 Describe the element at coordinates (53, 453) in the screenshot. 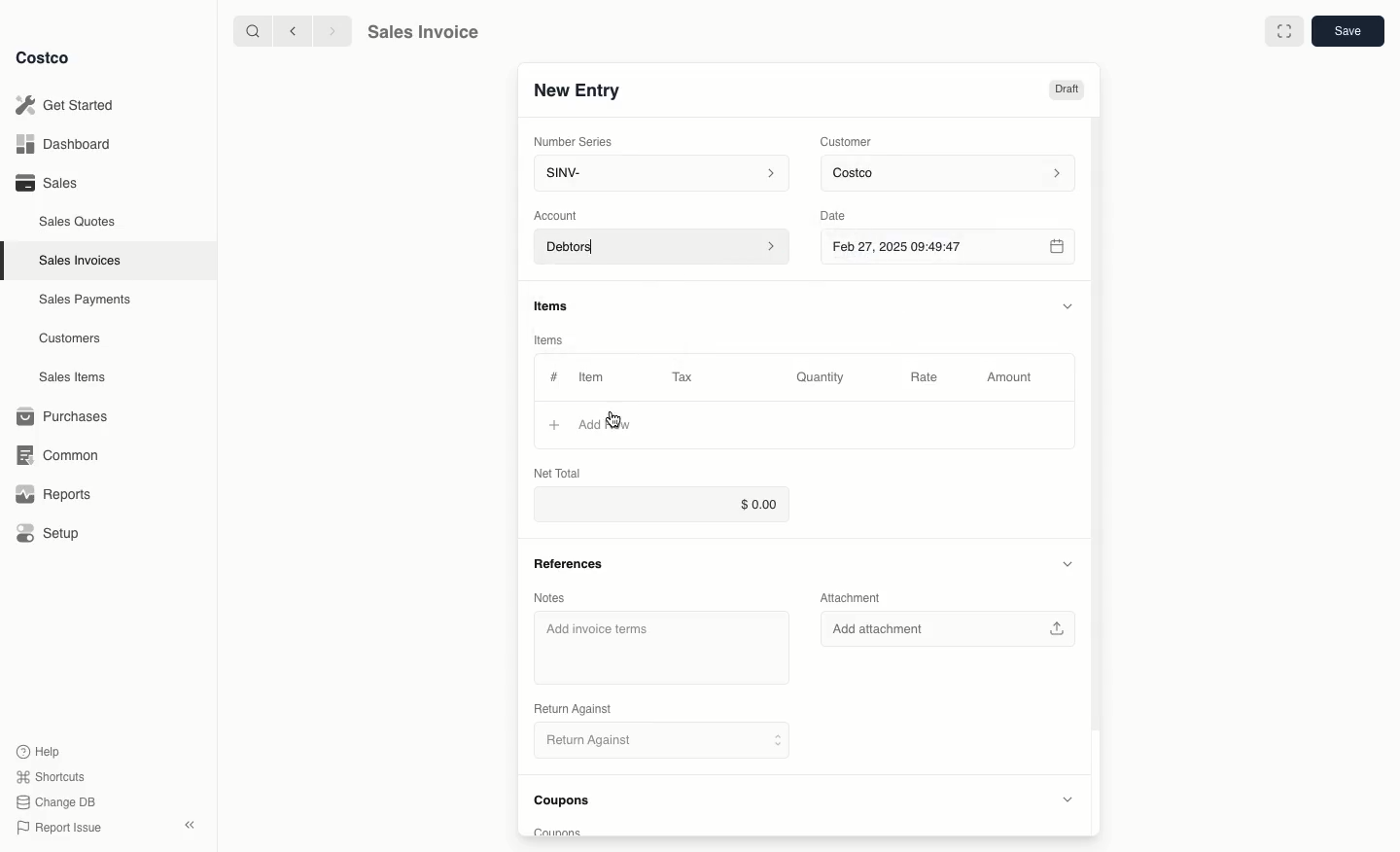

I see `Common` at that location.